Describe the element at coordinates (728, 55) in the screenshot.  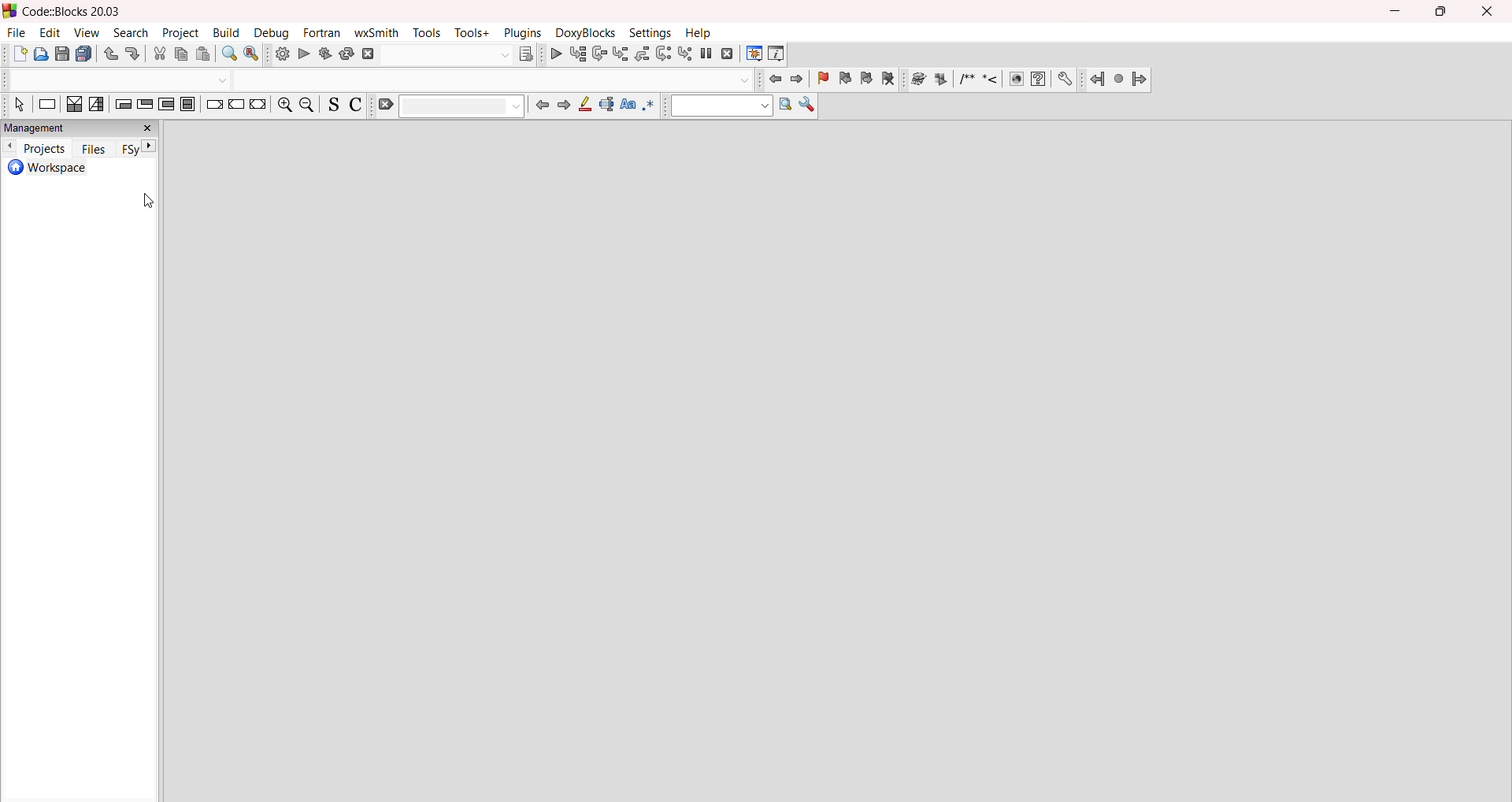
I see `stop debugger` at that location.